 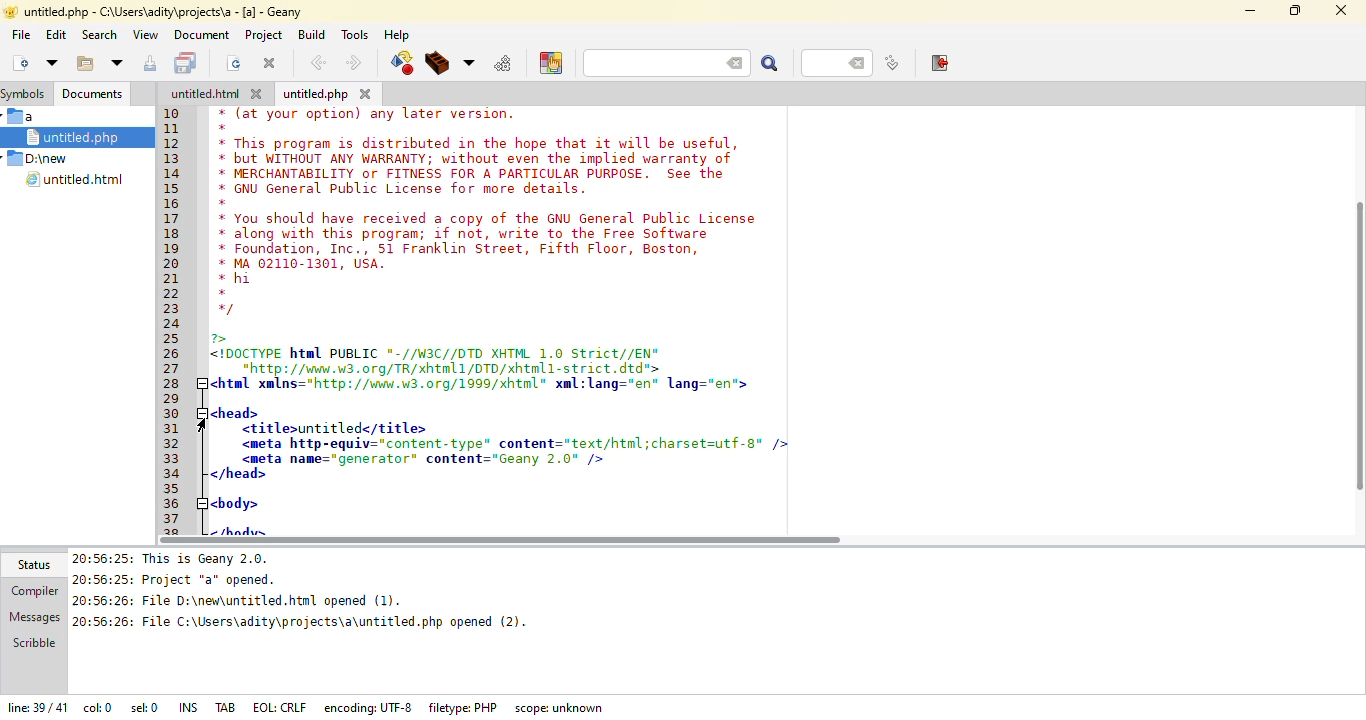 What do you see at coordinates (365, 94) in the screenshot?
I see `close` at bounding box center [365, 94].